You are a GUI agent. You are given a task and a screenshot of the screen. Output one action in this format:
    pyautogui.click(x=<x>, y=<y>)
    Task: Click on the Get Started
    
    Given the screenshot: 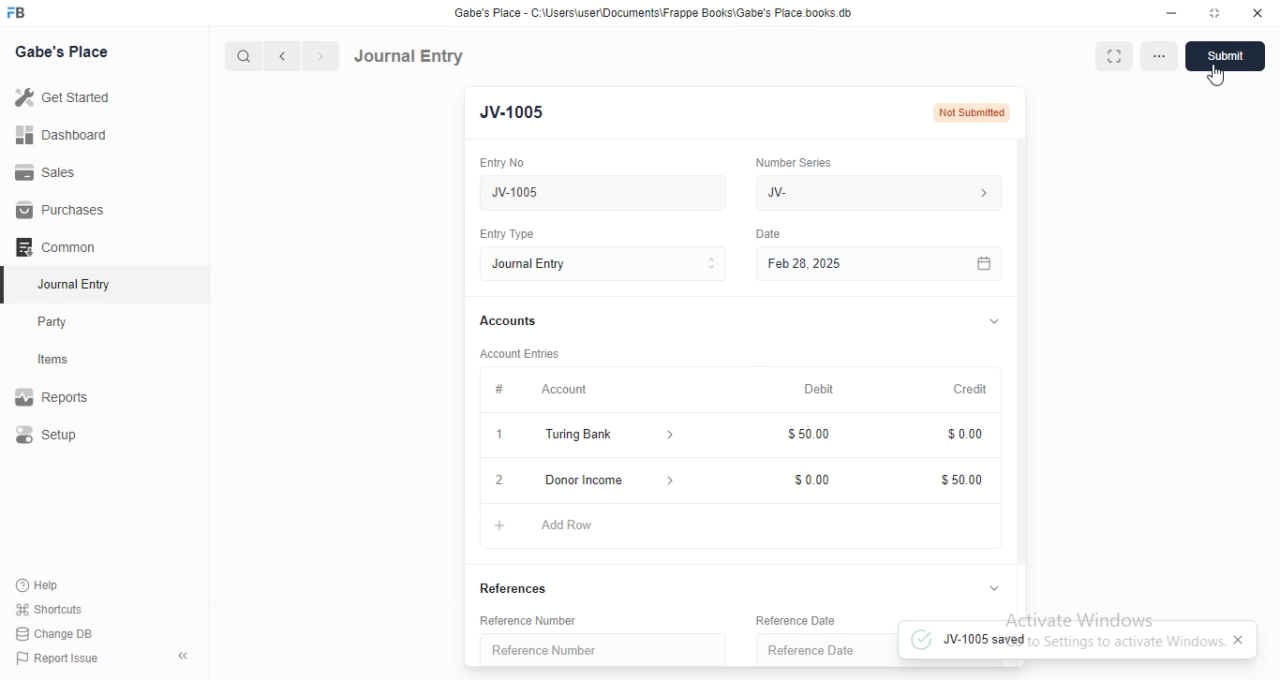 What is the action you would take?
    pyautogui.click(x=67, y=97)
    